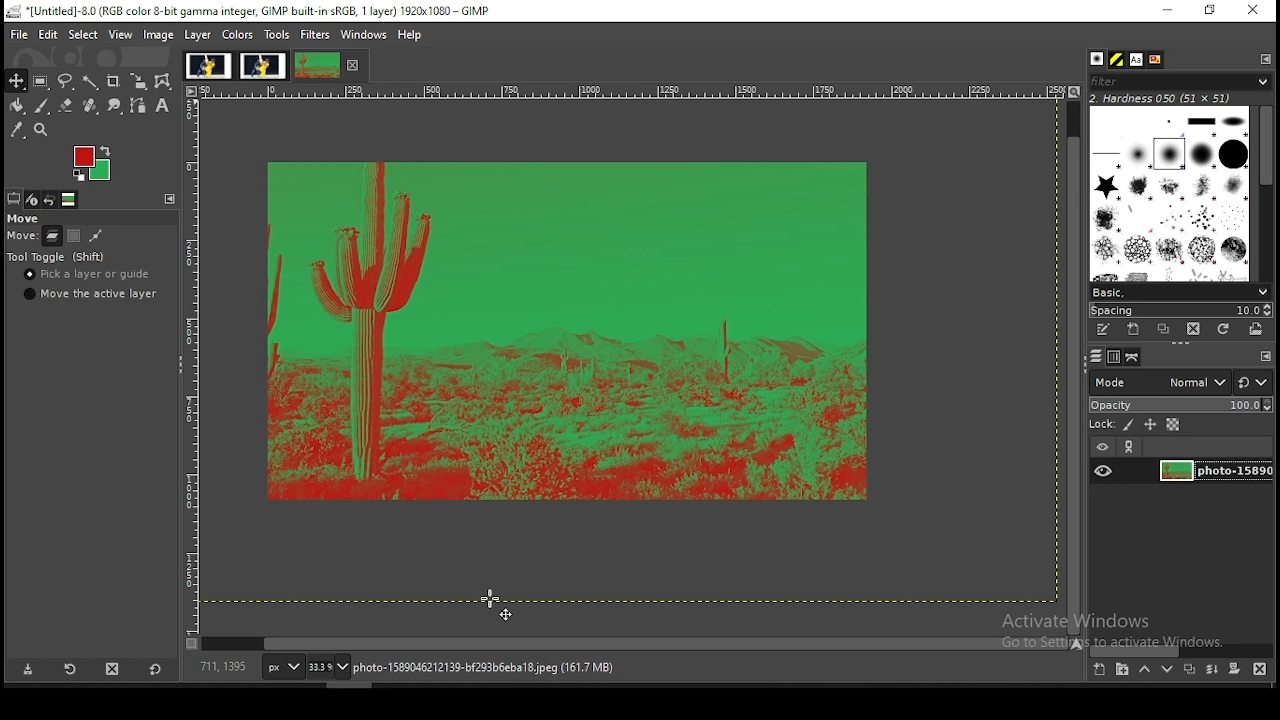  What do you see at coordinates (412, 36) in the screenshot?
I see `help` at bounding box center [412, 36].